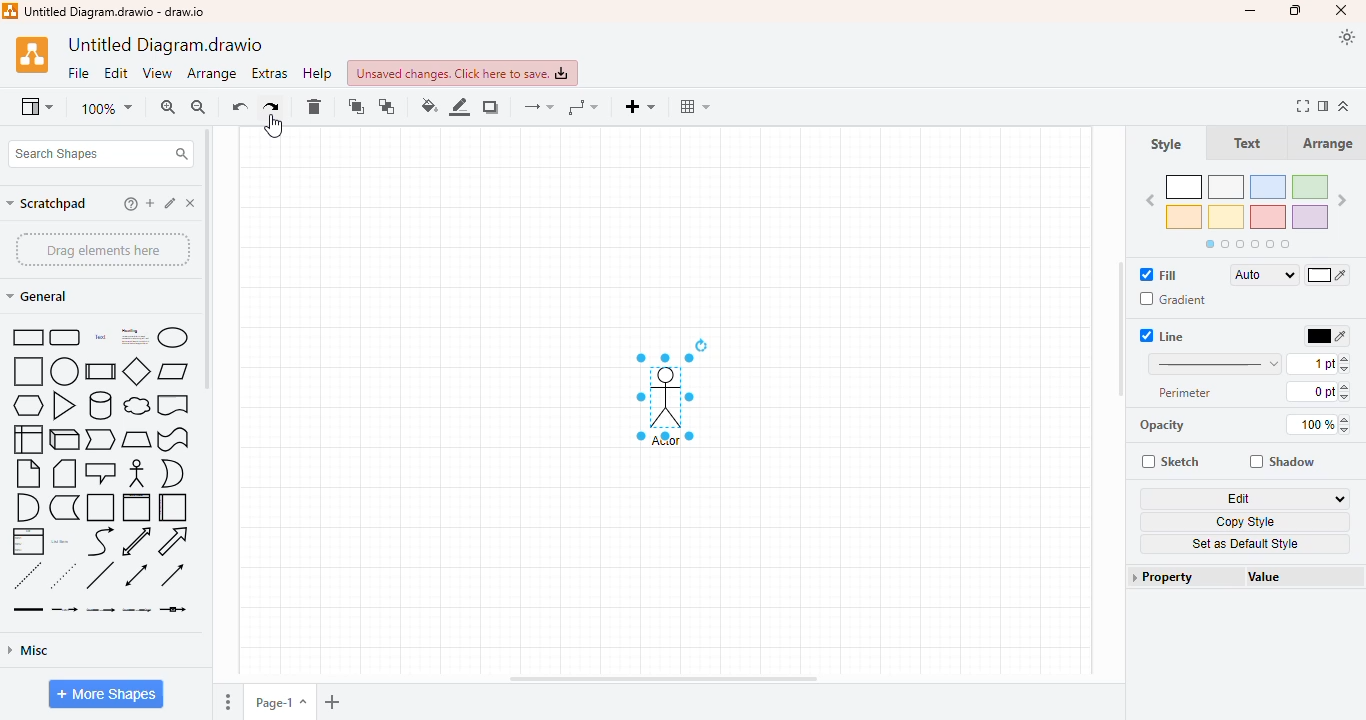  Describe the element at coordinates (136, 575) in the screenshot. I see `bidirectional connector` at that location.